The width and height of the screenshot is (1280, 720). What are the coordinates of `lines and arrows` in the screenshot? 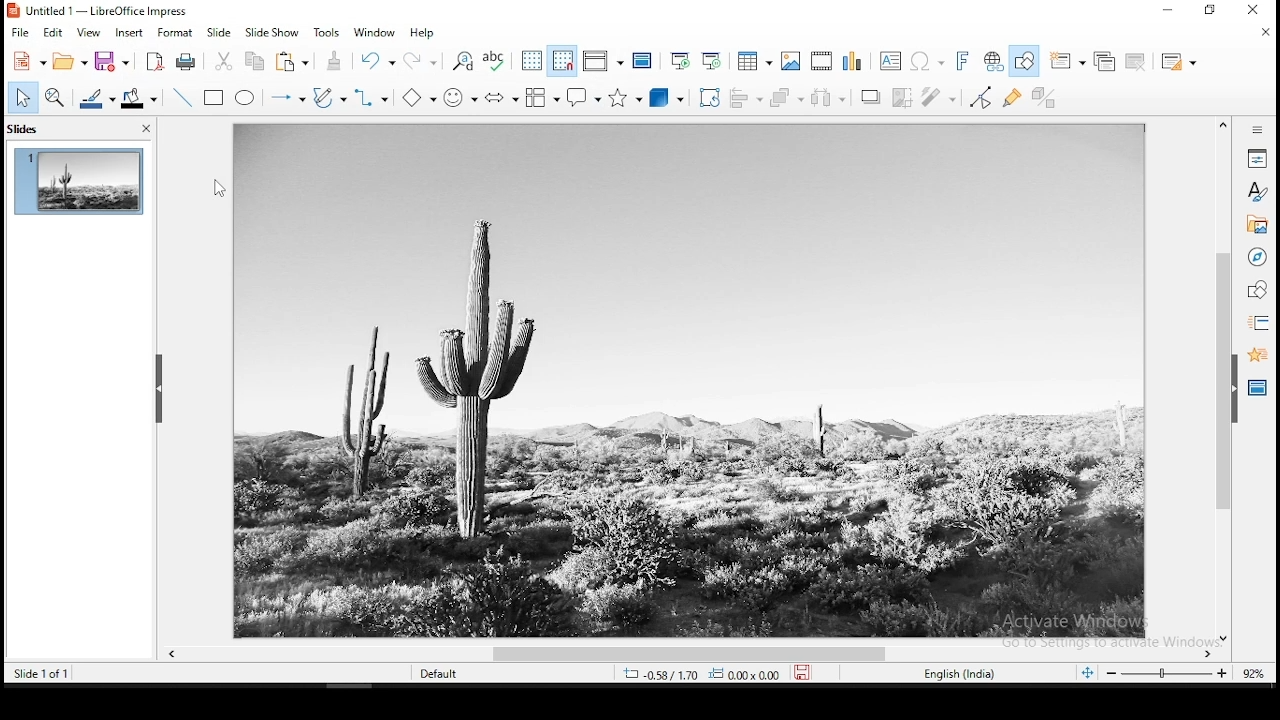 It's located at (287, 97).